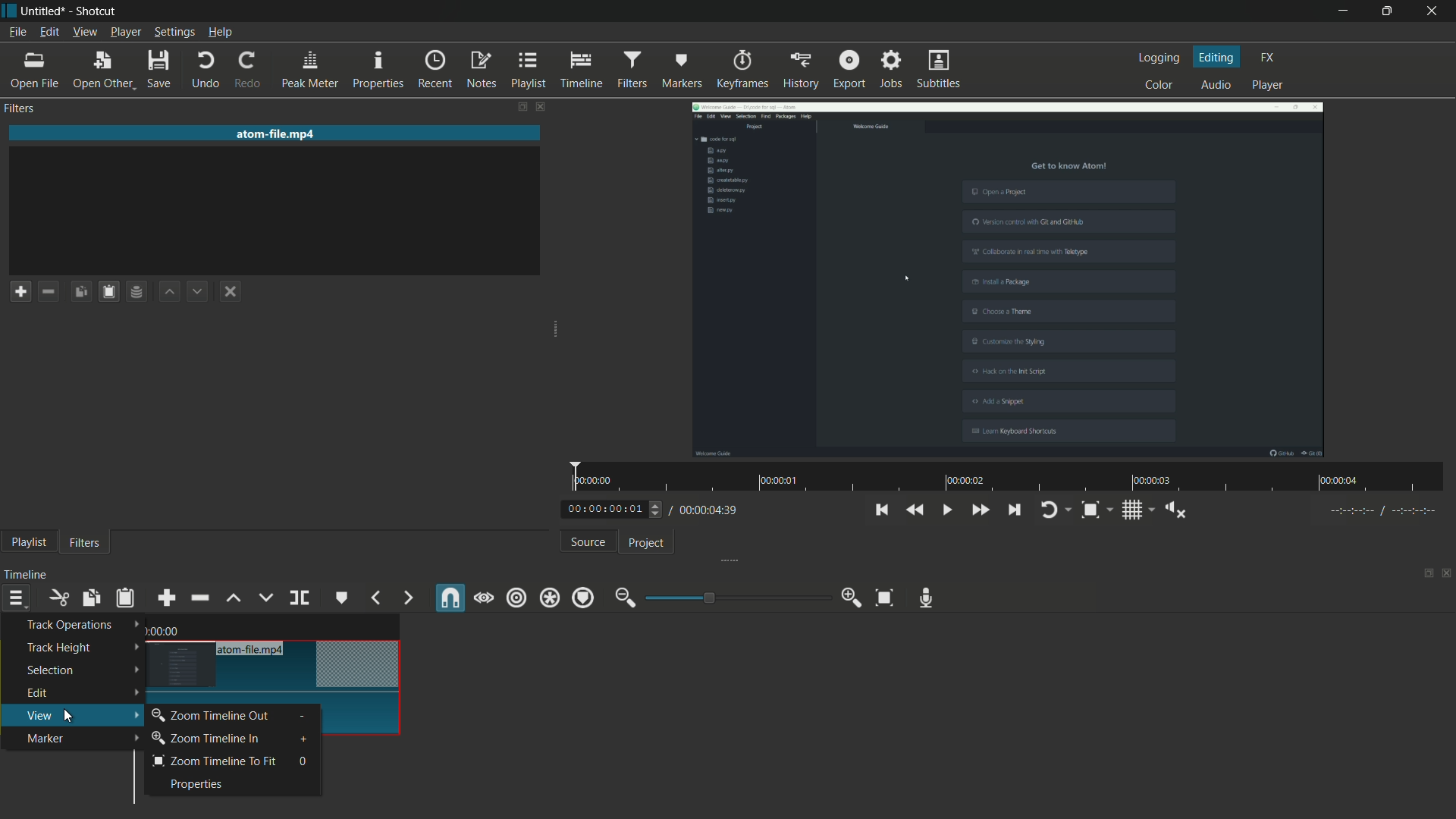  I want to click on toggle grid, so click(1131, 510).